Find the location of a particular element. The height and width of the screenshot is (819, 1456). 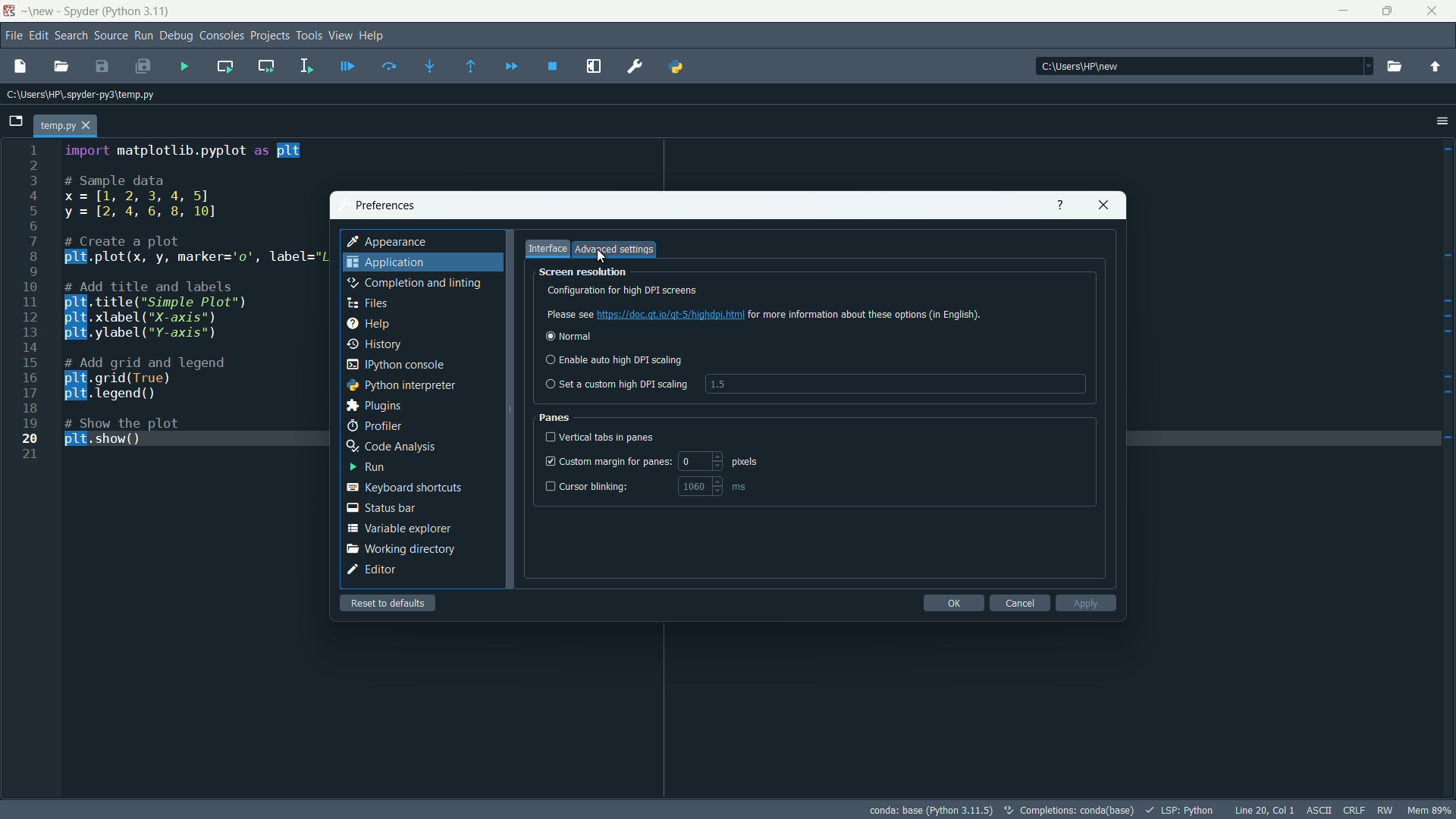

stop debugging is located at coordinates (553, 66).